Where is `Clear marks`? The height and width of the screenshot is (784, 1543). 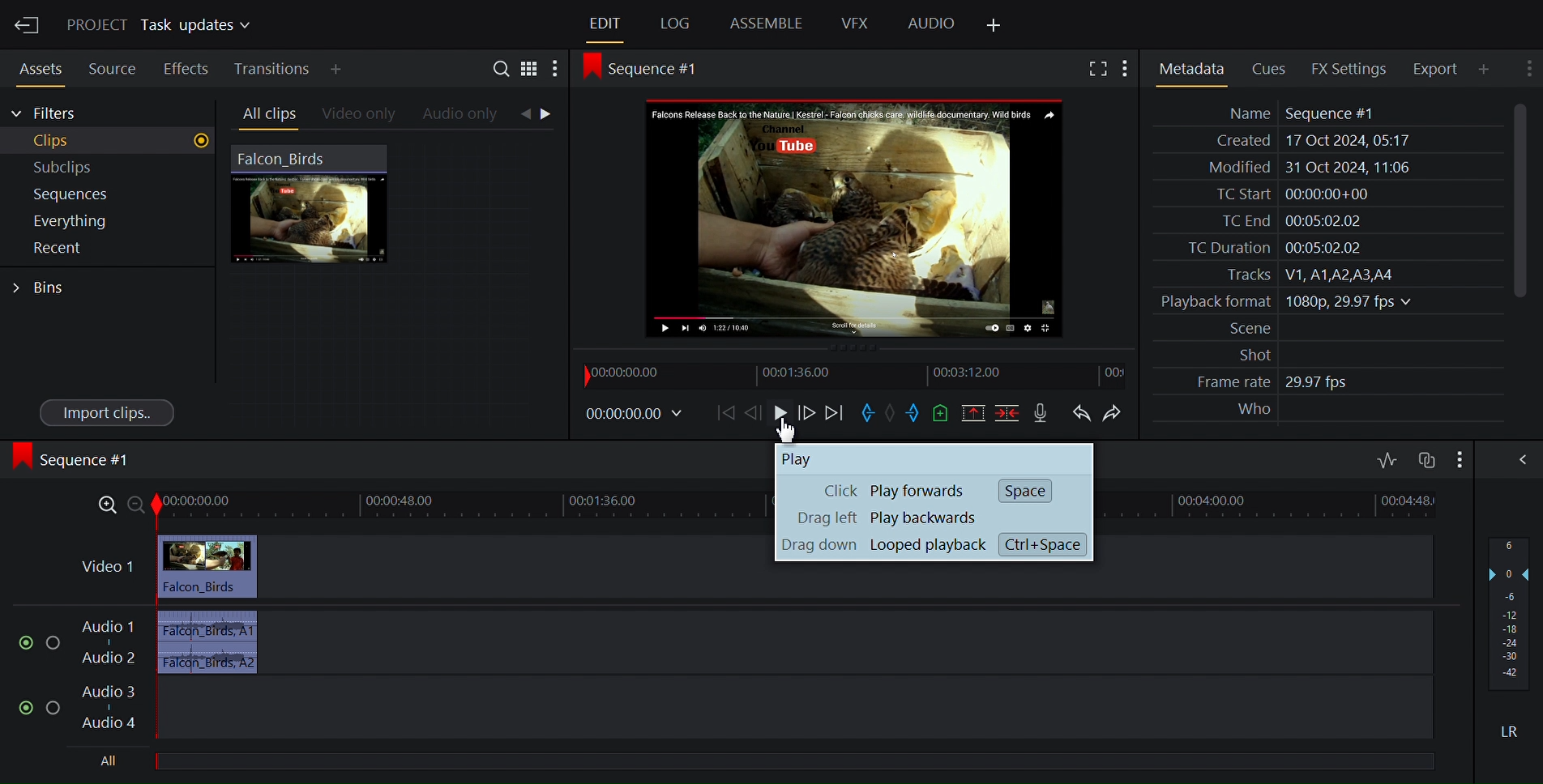 Clear marks is located at coordinates (890, 415).